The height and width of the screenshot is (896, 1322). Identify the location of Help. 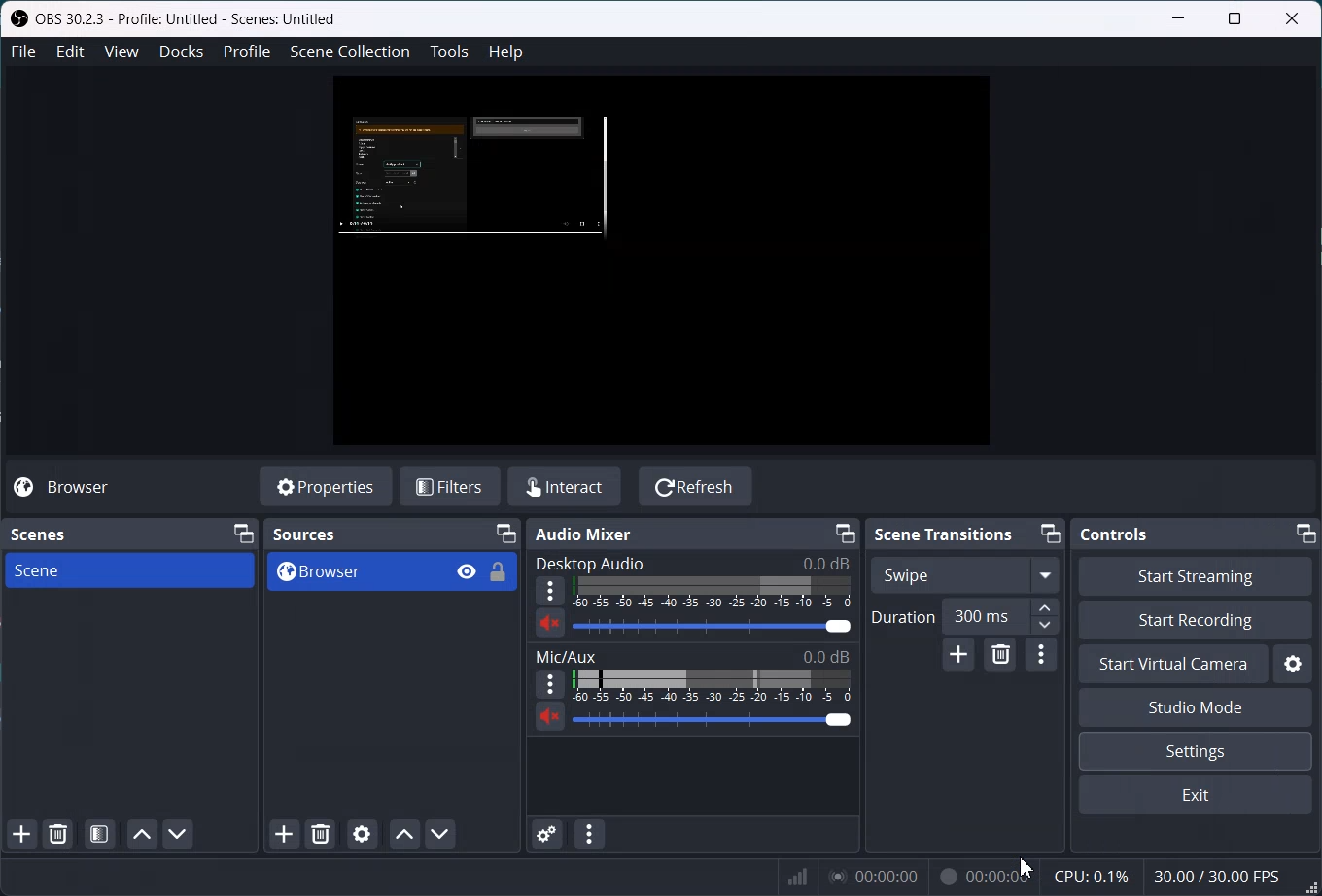
(506, 52).